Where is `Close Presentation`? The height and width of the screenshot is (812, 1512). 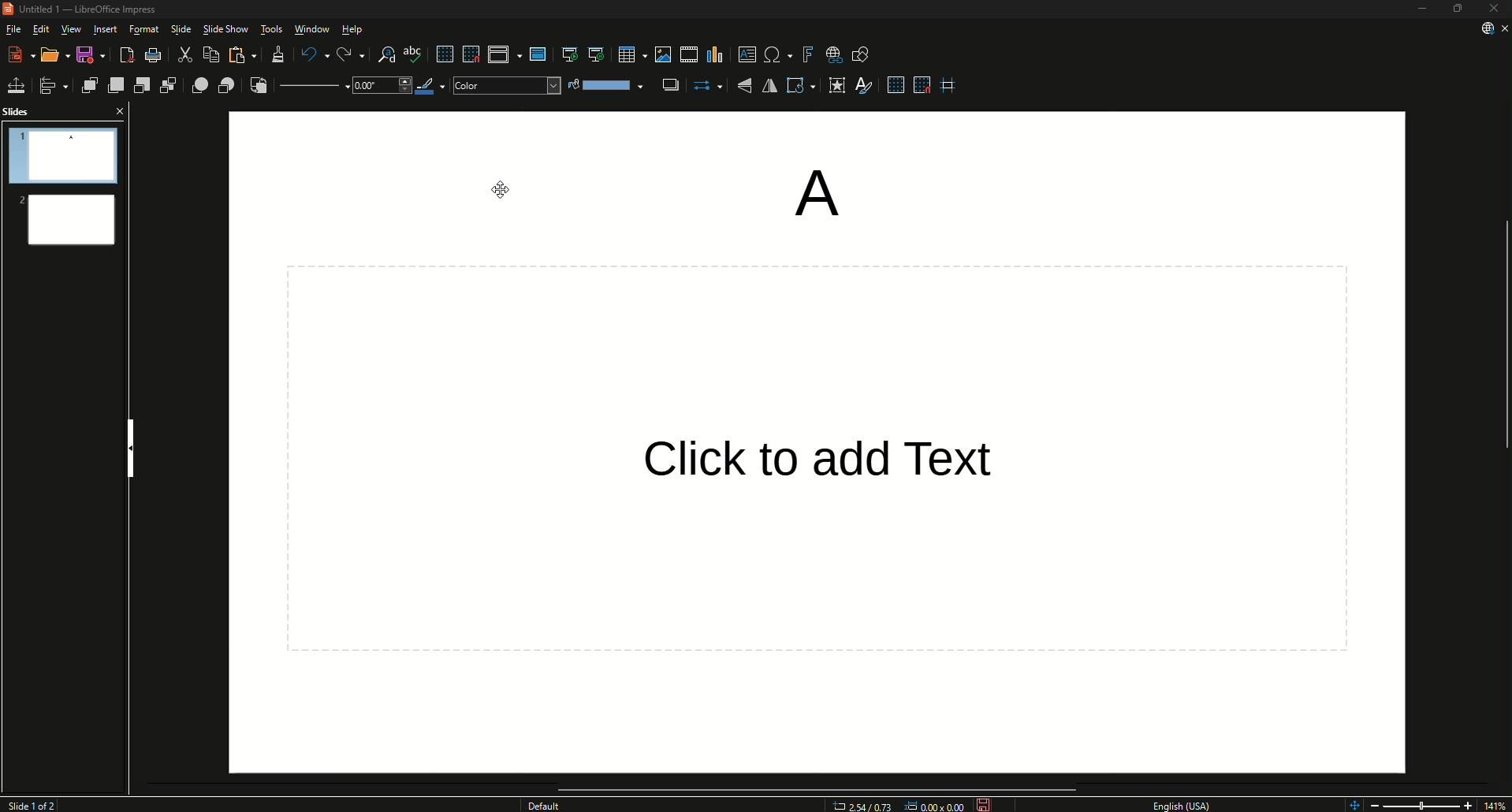
Close Presentation is located at coordinates (1501, 28).